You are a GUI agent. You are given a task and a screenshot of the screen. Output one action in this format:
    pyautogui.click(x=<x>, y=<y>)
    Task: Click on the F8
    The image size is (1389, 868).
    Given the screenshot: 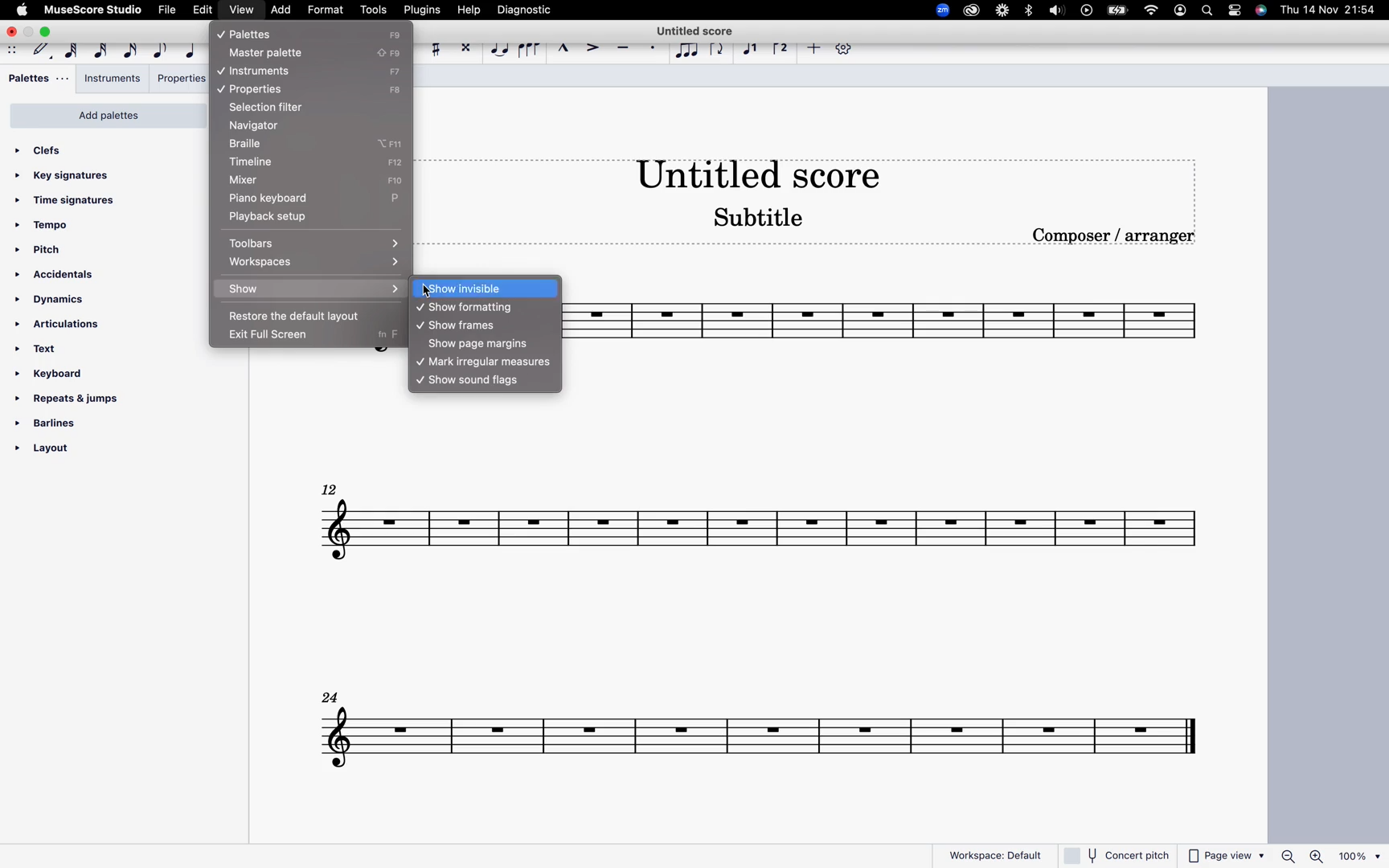 What is the action you would take?
    pyautogui.click(x=391, y=91)
    